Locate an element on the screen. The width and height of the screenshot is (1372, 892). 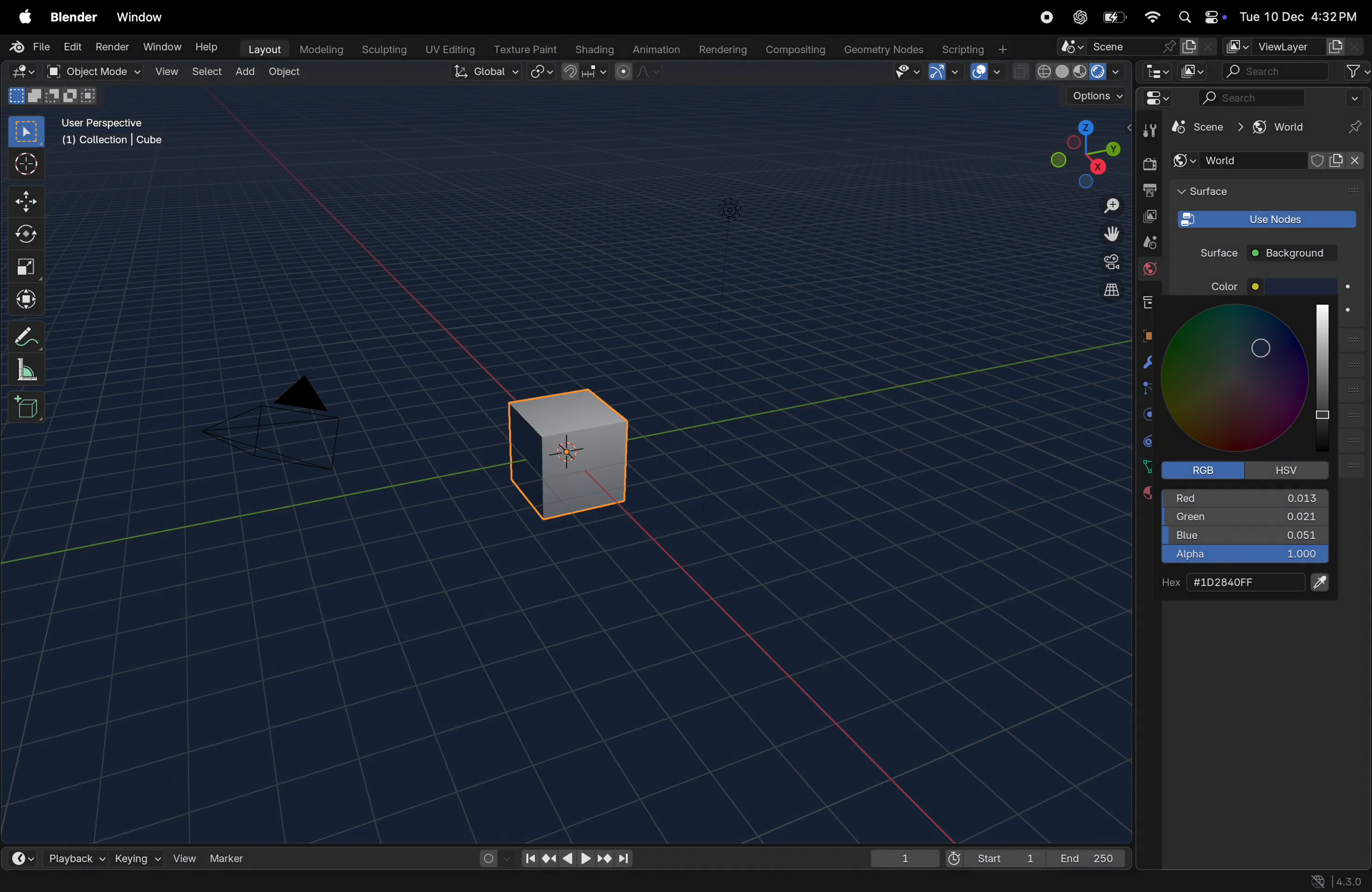
move the view is located at coordinates (1107, 233).